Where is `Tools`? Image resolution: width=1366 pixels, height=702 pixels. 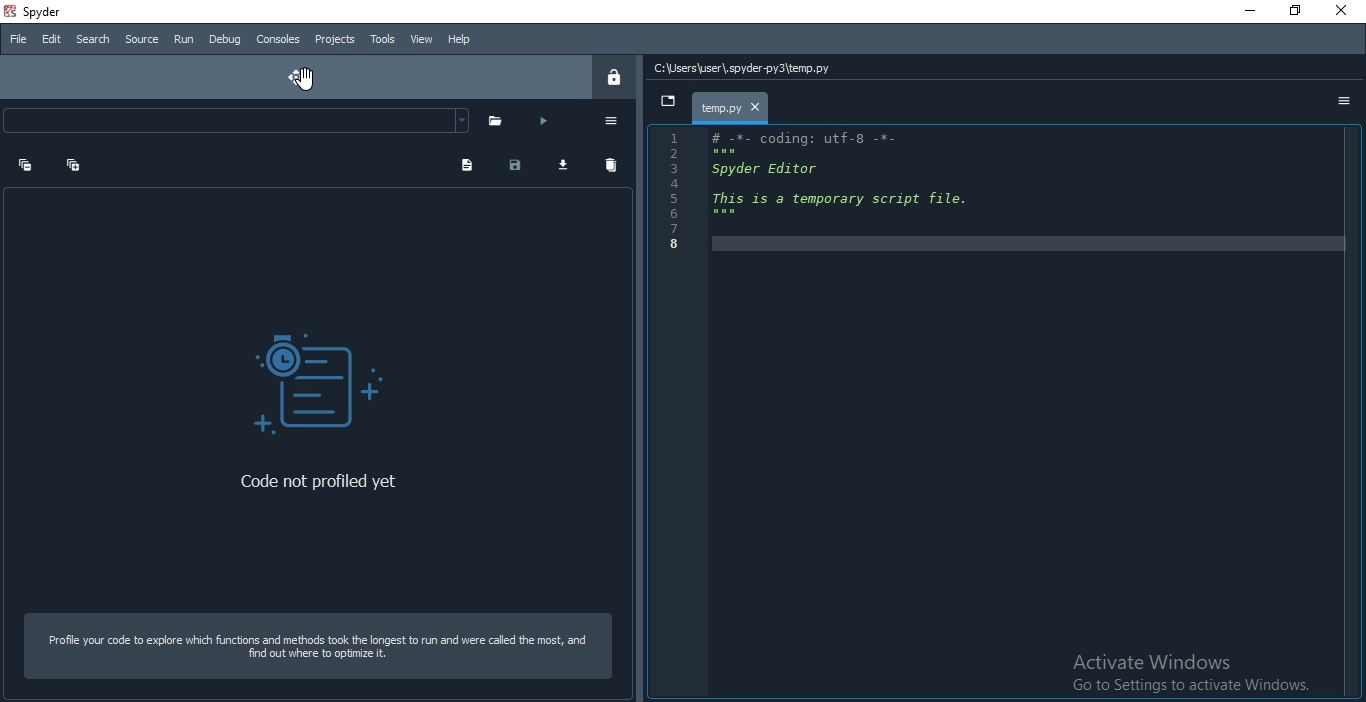 Tools is located at coordinates (381, 39).